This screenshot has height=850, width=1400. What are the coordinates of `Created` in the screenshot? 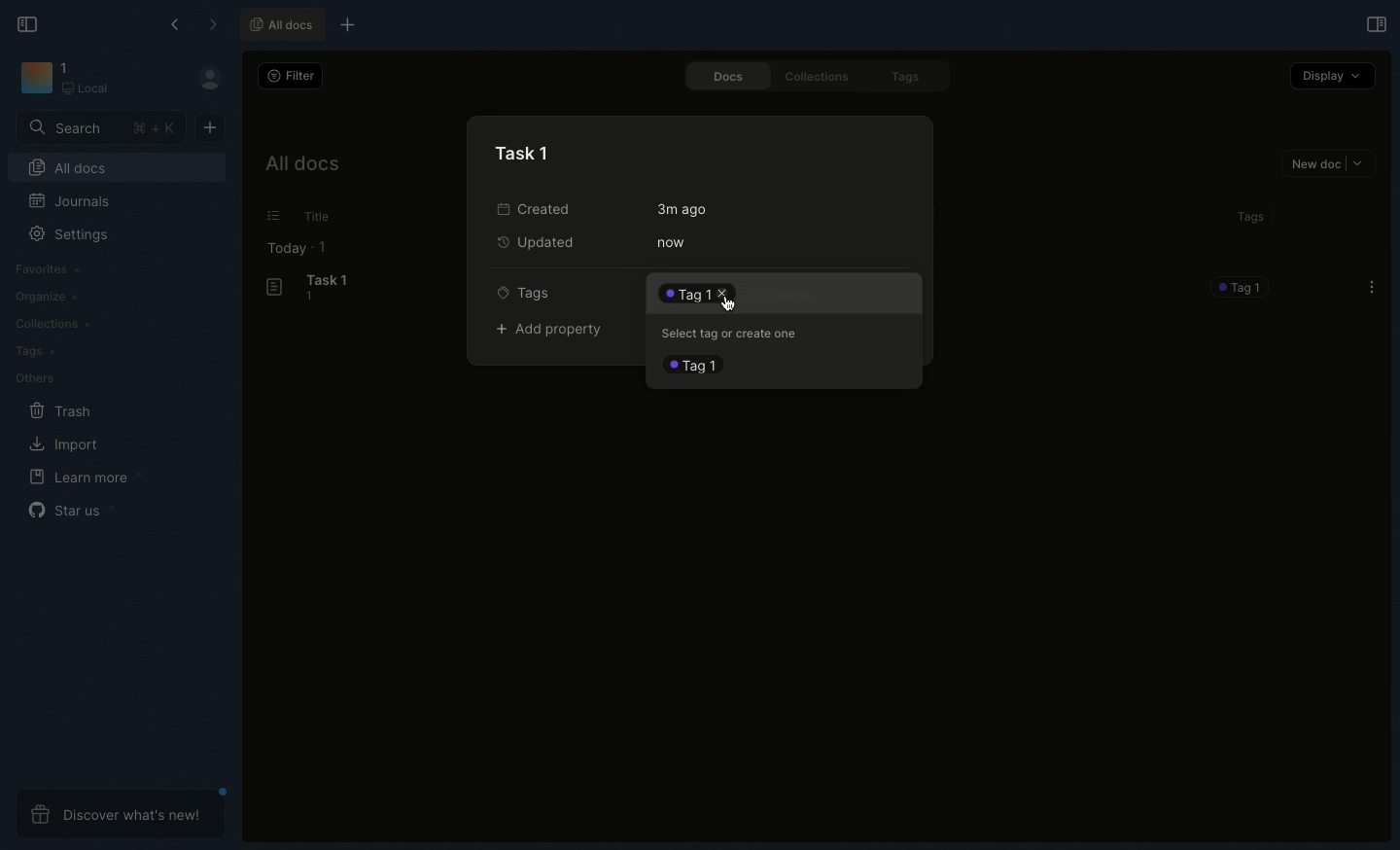 It's located at (546, 207).